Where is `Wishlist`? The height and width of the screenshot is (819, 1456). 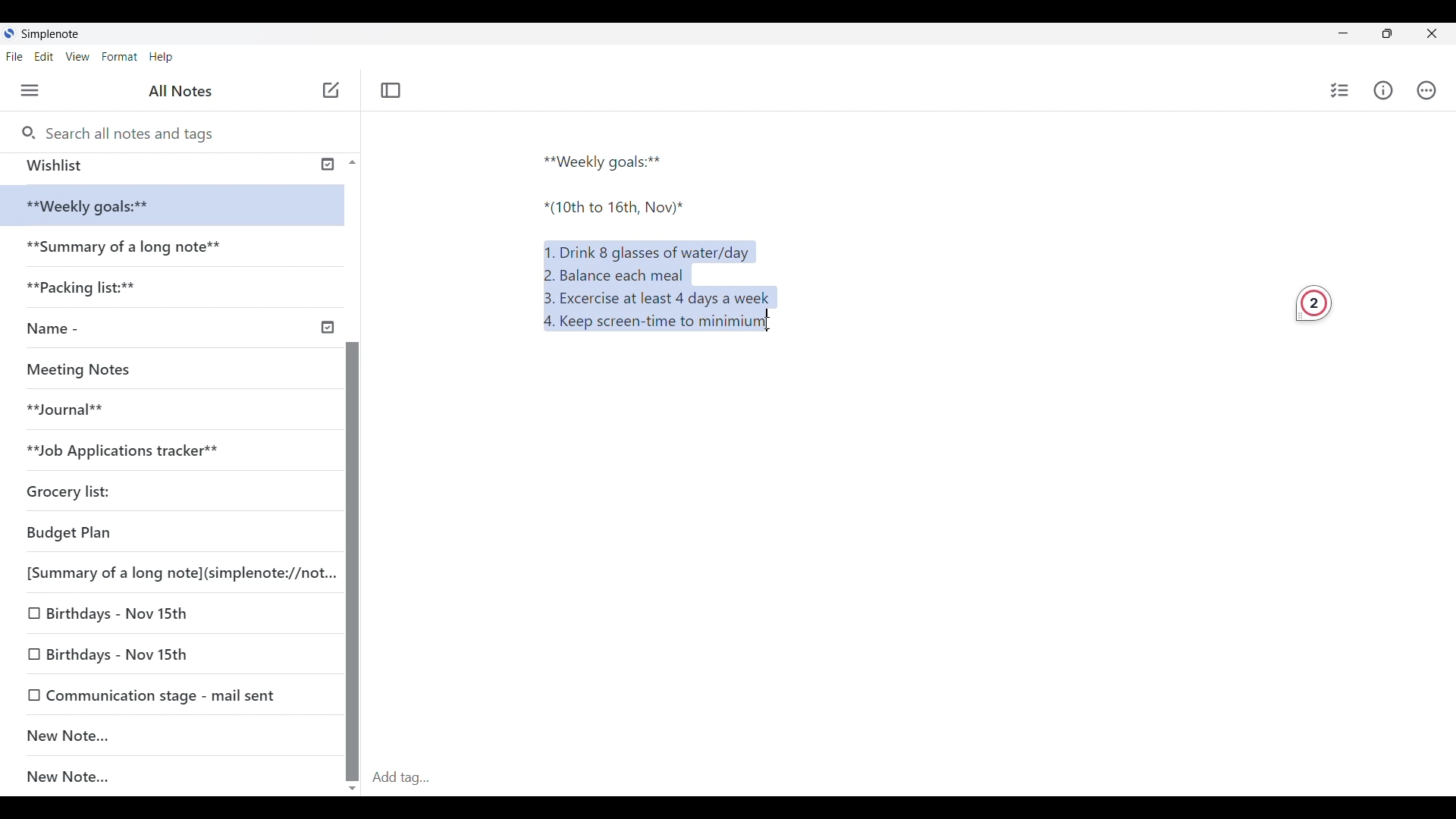 Wishlist is located at coordinates (168, 165).